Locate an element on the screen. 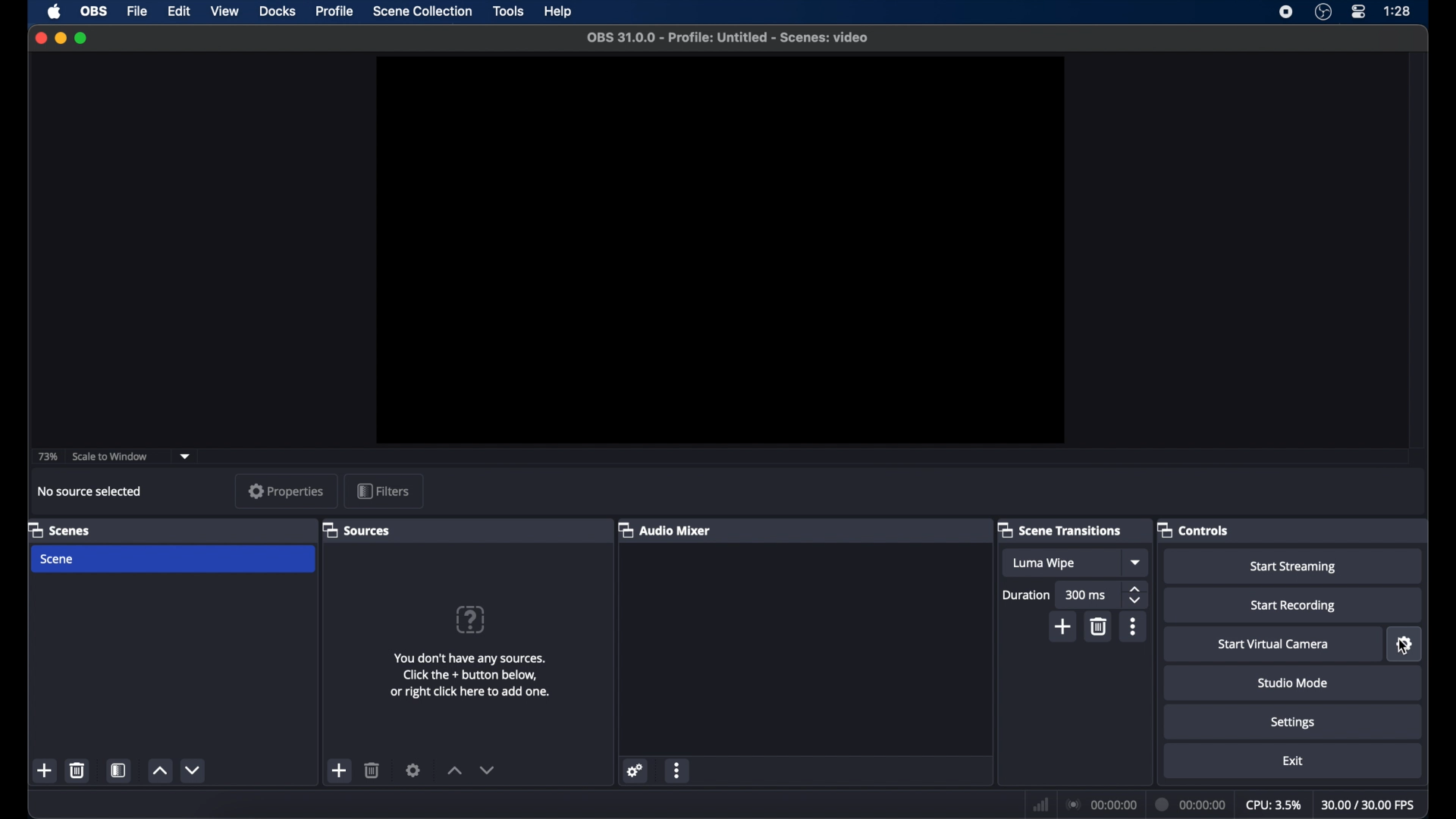  preview is located at coordinates (720, 249).